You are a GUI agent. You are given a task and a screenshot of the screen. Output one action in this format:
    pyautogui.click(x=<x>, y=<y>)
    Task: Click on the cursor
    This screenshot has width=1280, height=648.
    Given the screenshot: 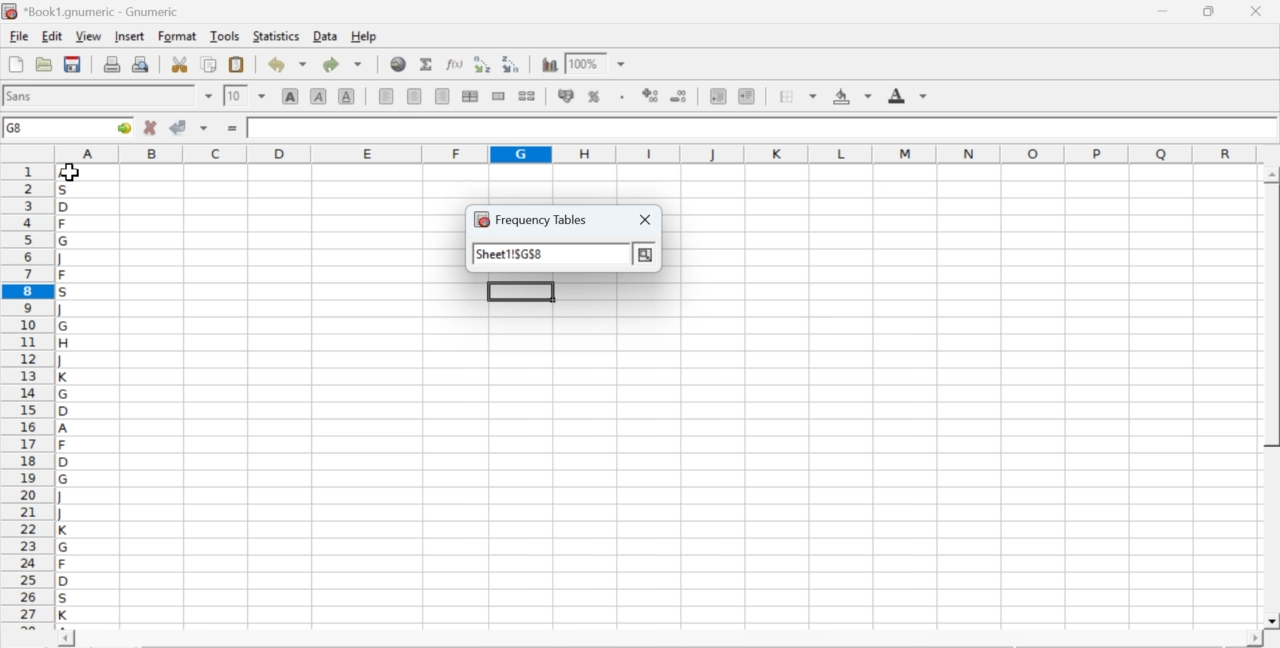 What is the action you would take?
    pyautogui.click(x=70, y=172)
    